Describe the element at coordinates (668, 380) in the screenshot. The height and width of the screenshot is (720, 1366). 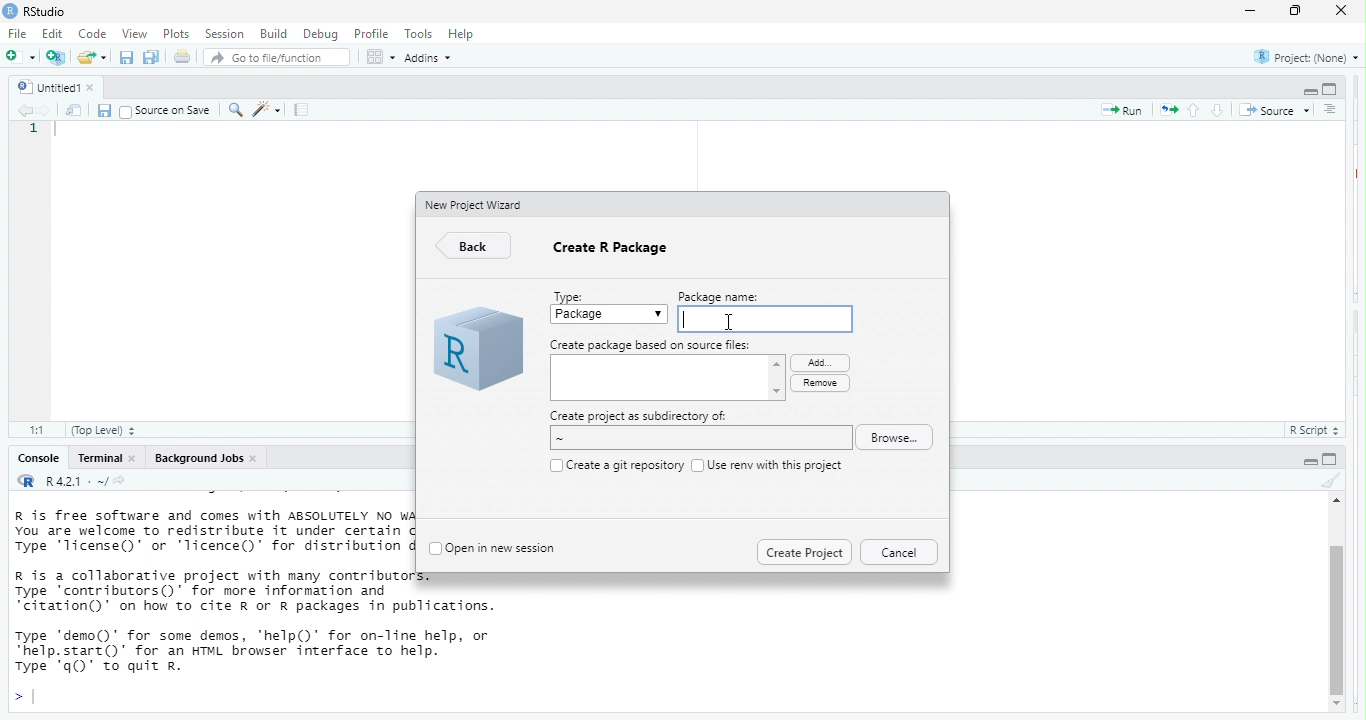
I see `create package based on source files` at that location.